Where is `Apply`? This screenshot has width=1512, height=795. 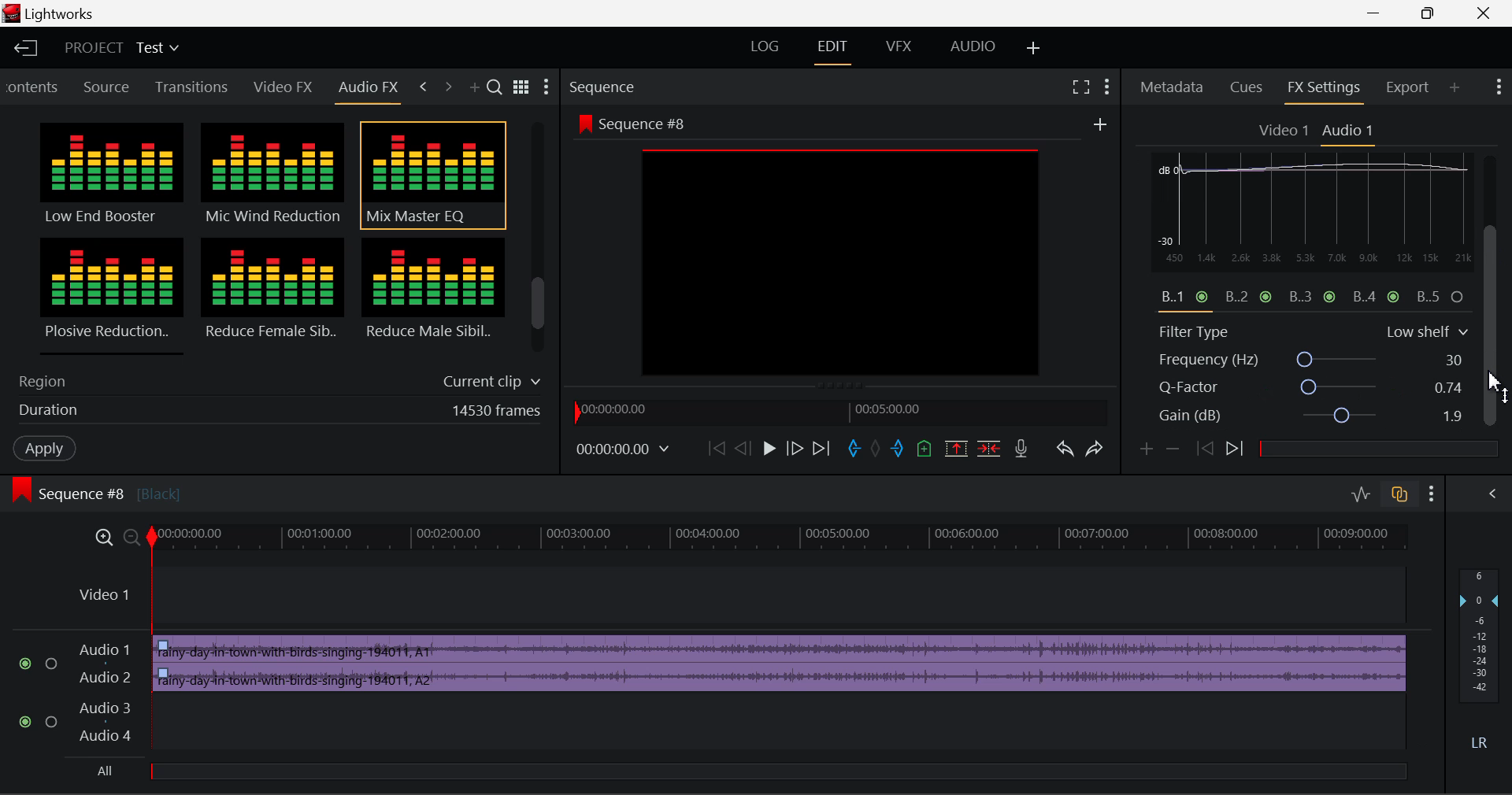 Apply is located at coordinates (44, 449).